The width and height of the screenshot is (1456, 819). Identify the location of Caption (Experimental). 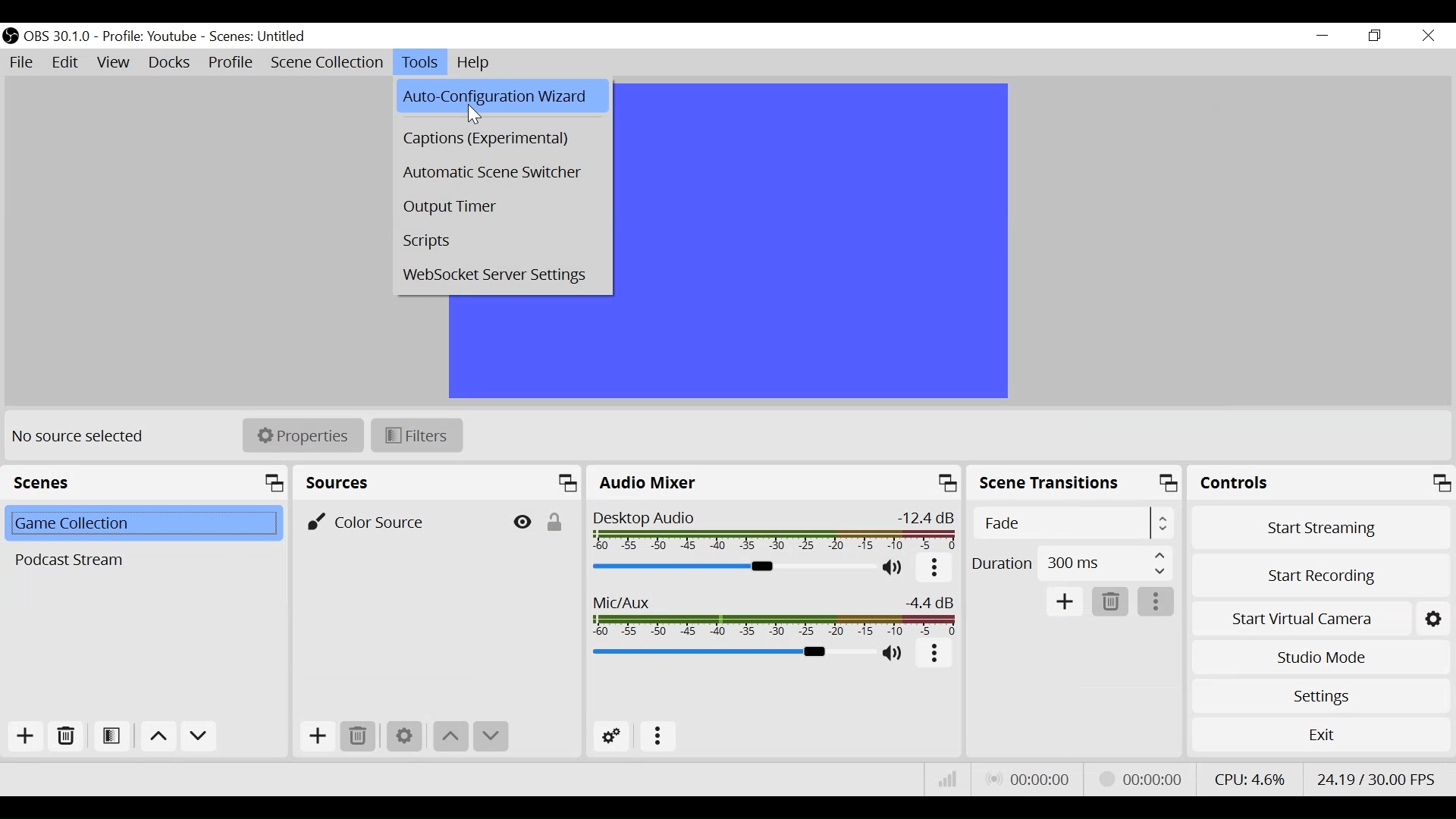
(499, 140).